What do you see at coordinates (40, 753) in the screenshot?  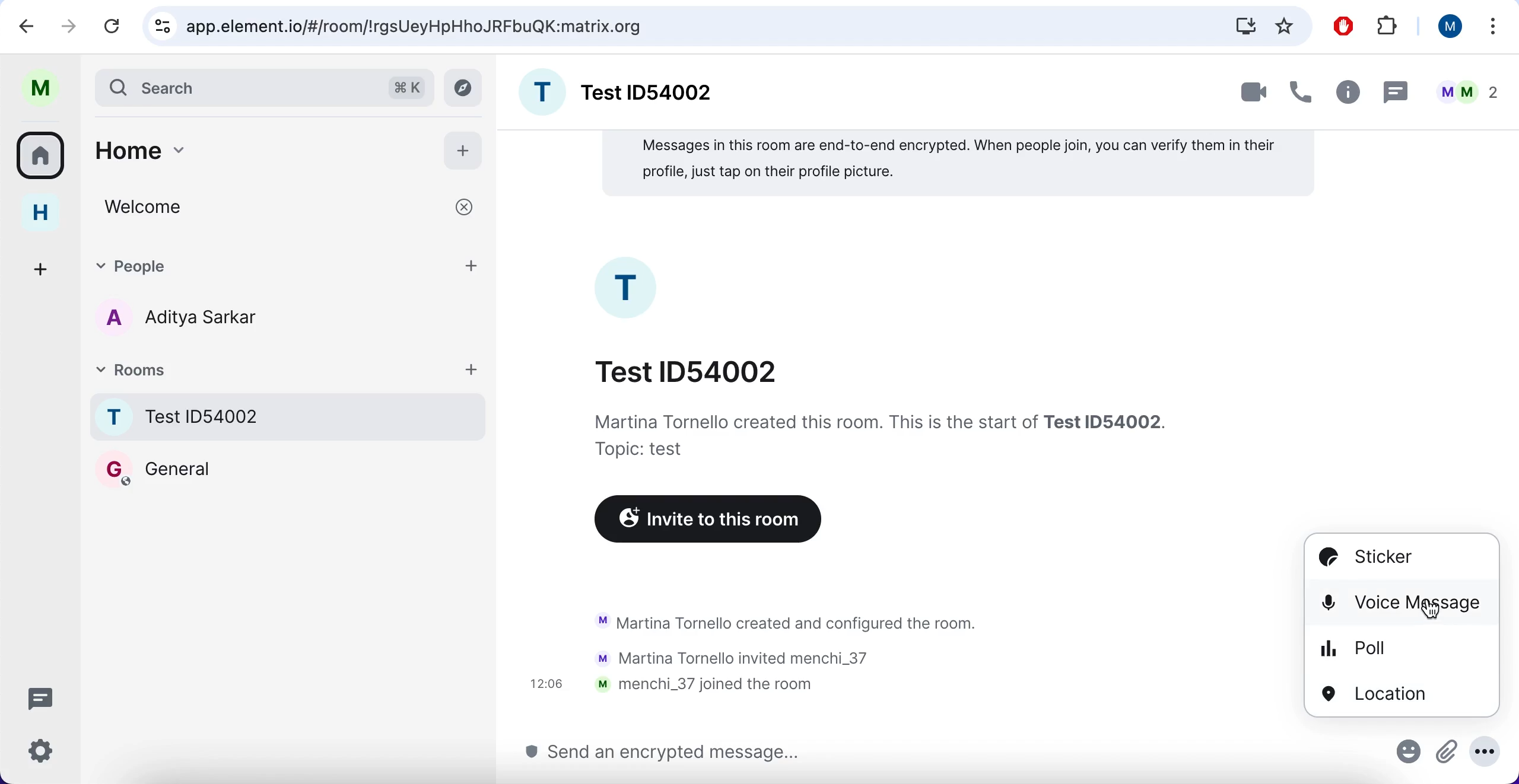 I see `quick setting` at bounding box center [40, 753].